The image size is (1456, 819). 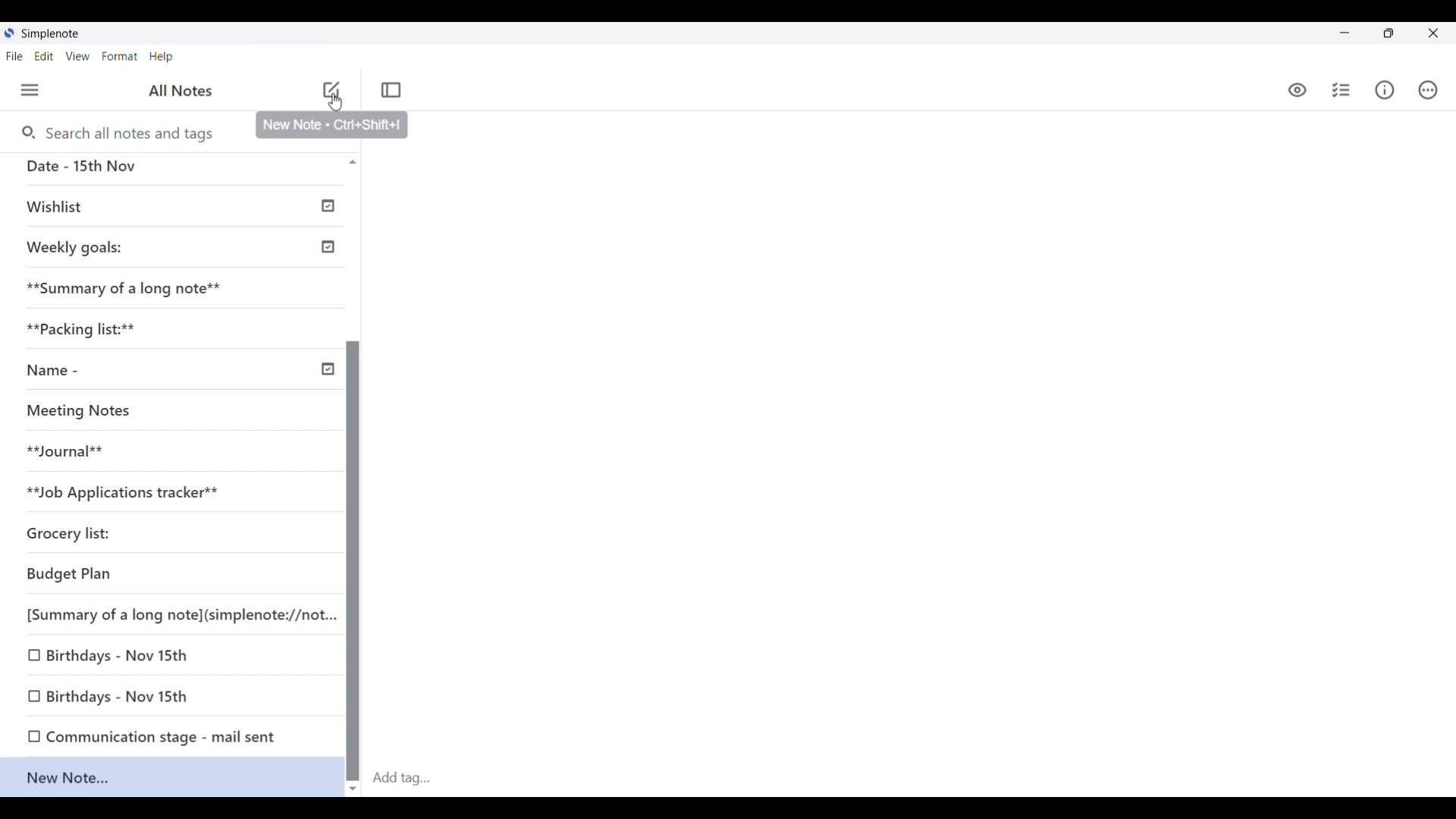 What do you see at coordinates (134, 493) in the screenshot?
I see `**Job Applications tracker**` at bounding box center [134, 493].